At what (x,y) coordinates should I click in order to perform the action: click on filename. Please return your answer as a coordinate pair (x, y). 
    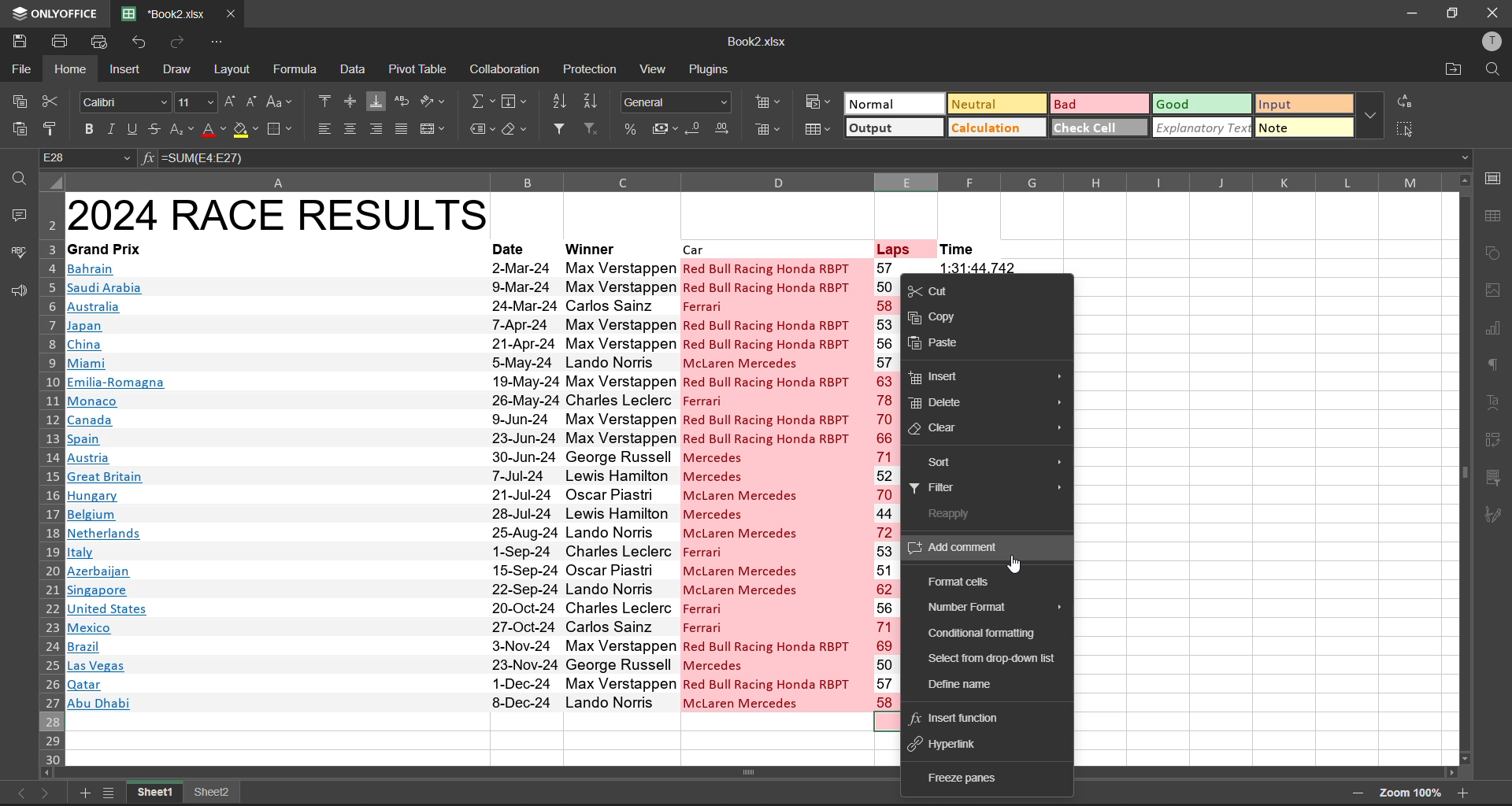
    Looking at the image, I should click on (162, 12).